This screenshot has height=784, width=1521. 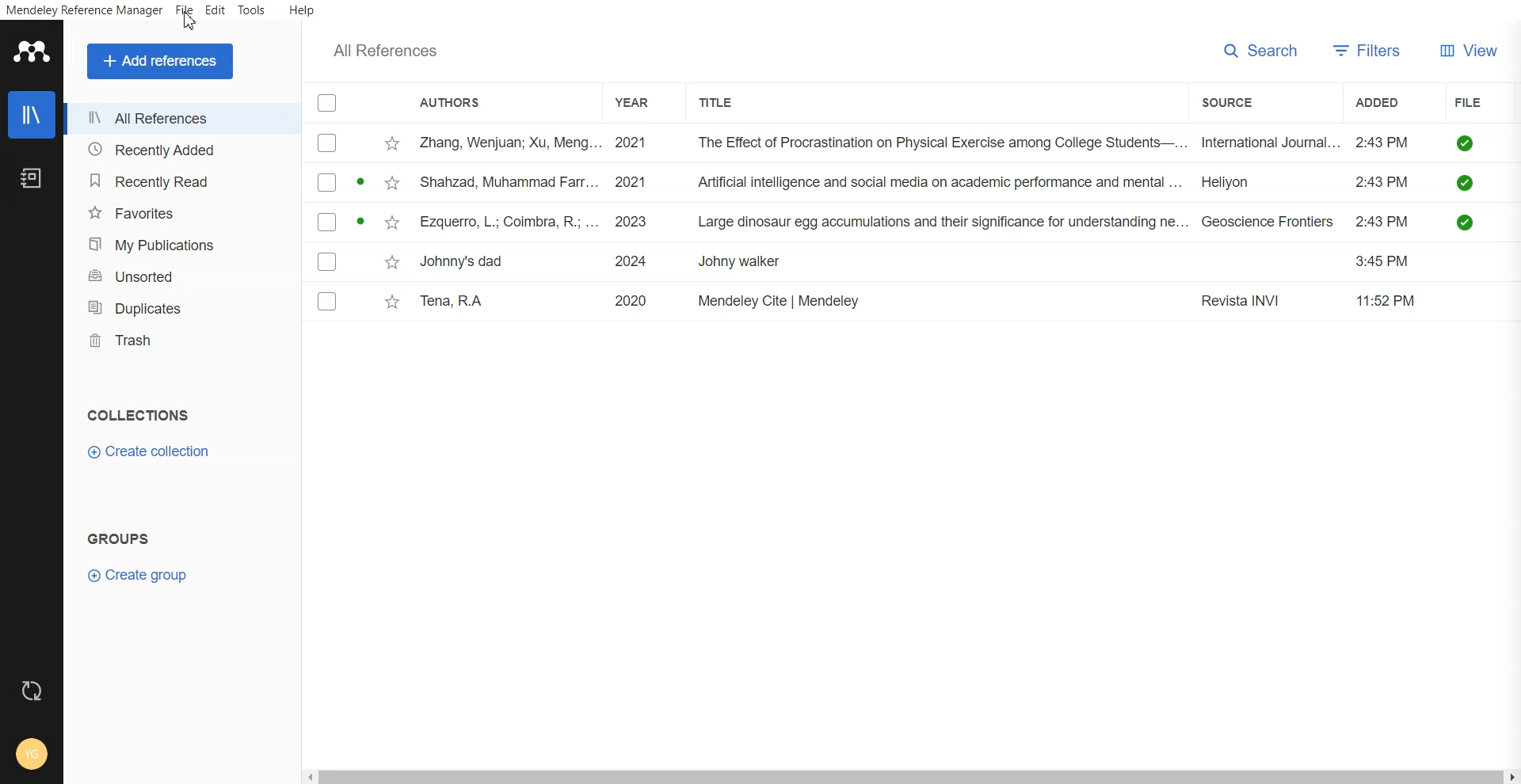 What do you see at coordinates (631, 299) in the screenshot?
I see `2020` at bounding box center [631, 299].